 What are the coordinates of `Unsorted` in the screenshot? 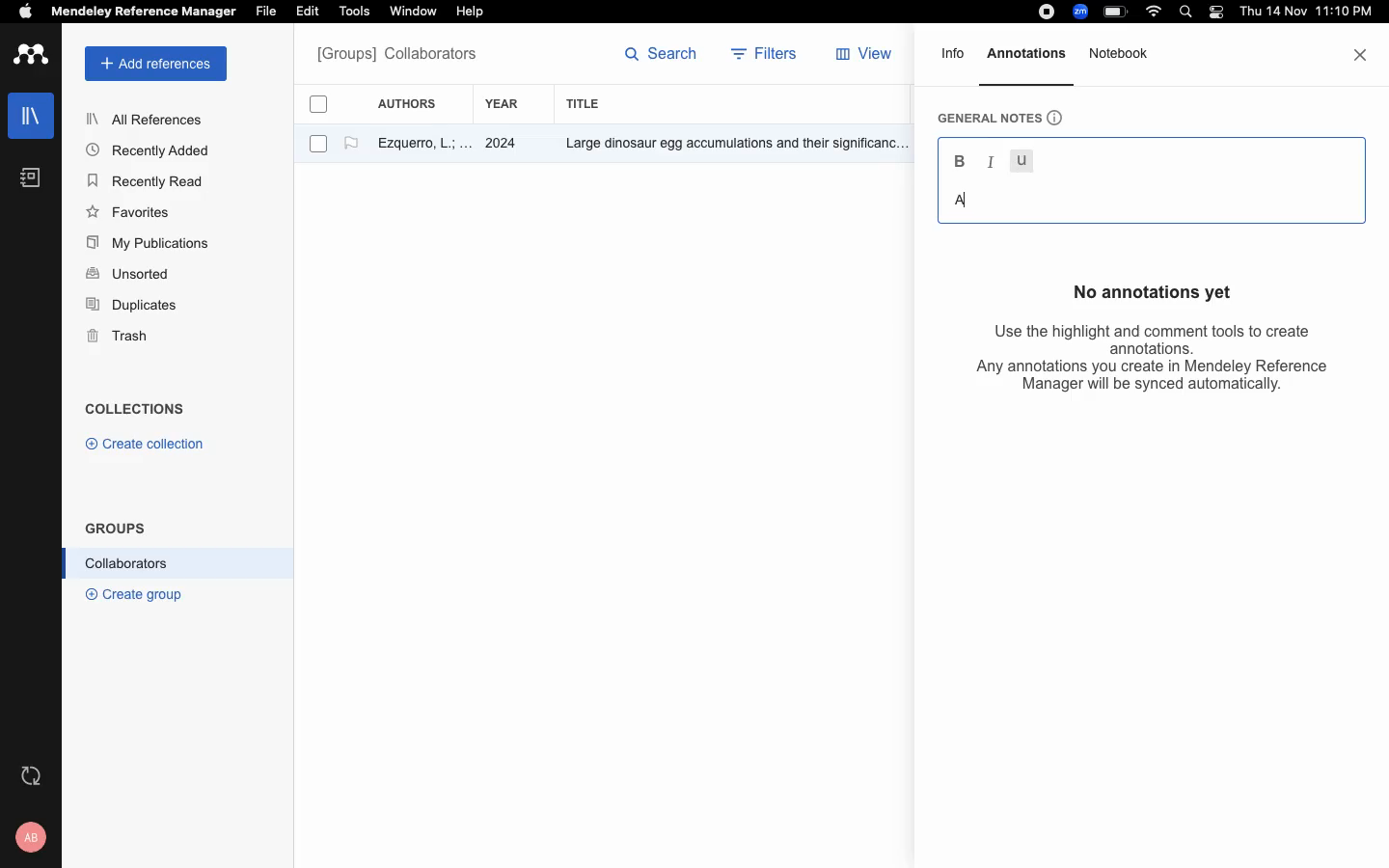 It's located at (130, 275).